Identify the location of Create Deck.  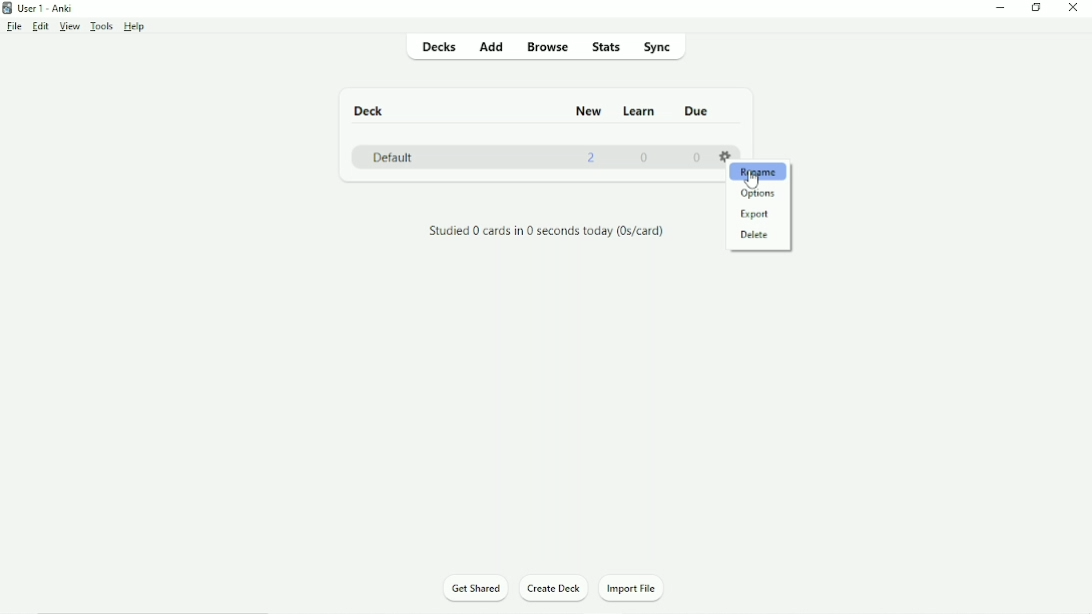
(555, 589).